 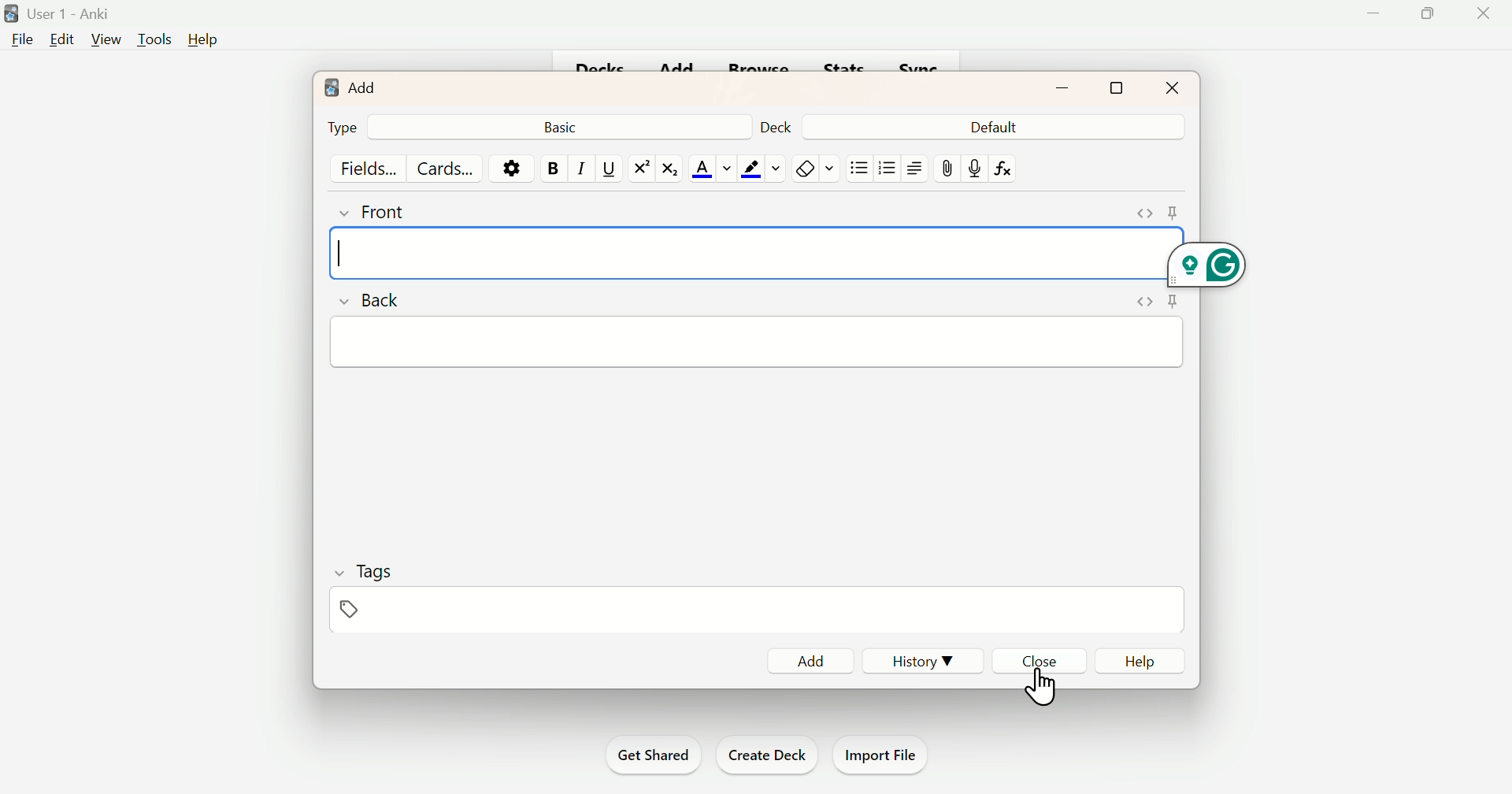 I want to click on fx, so click(x=1009, y=168).